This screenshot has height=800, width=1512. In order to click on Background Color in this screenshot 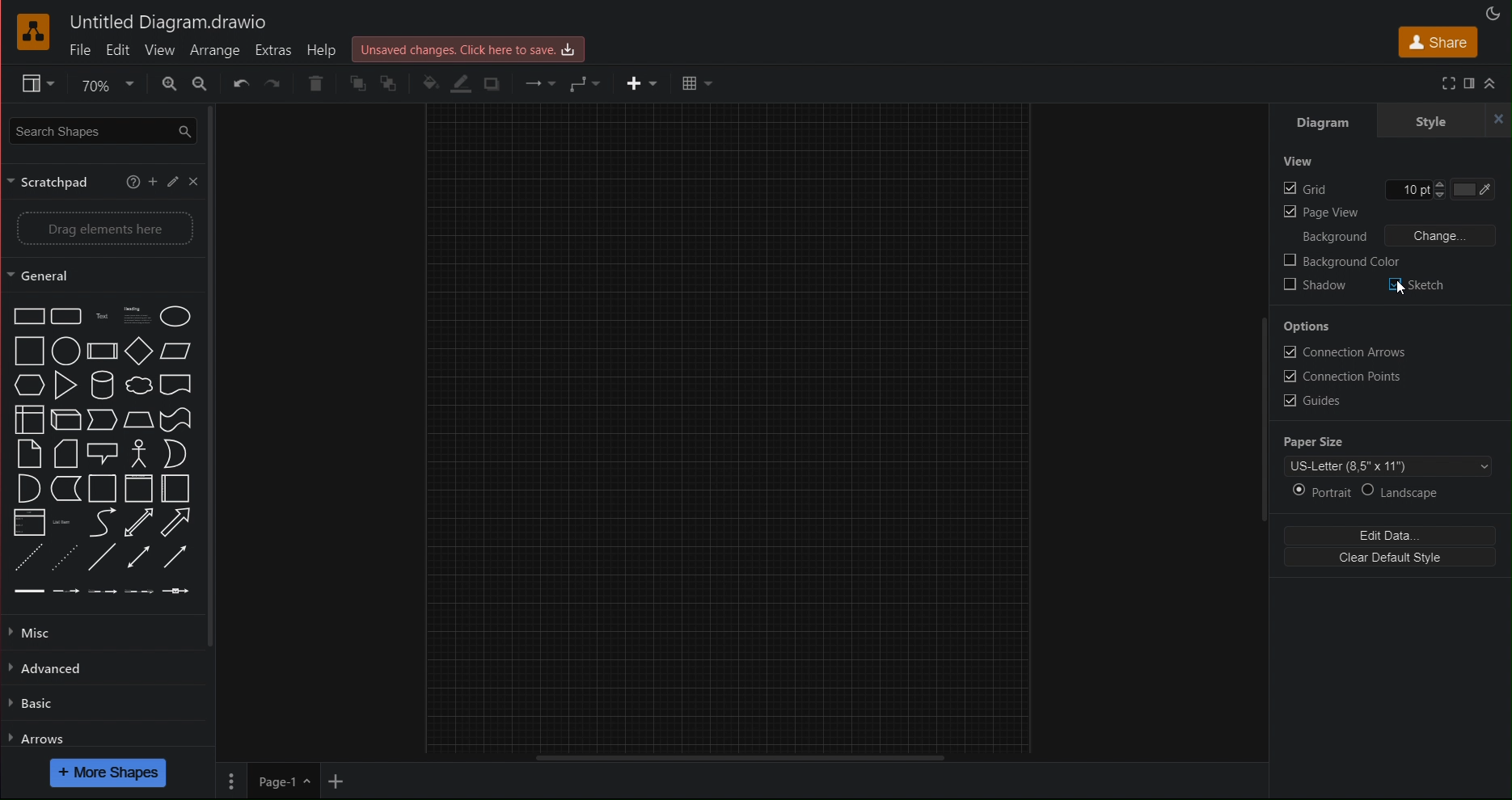, I will do `click(1344, 260)`.